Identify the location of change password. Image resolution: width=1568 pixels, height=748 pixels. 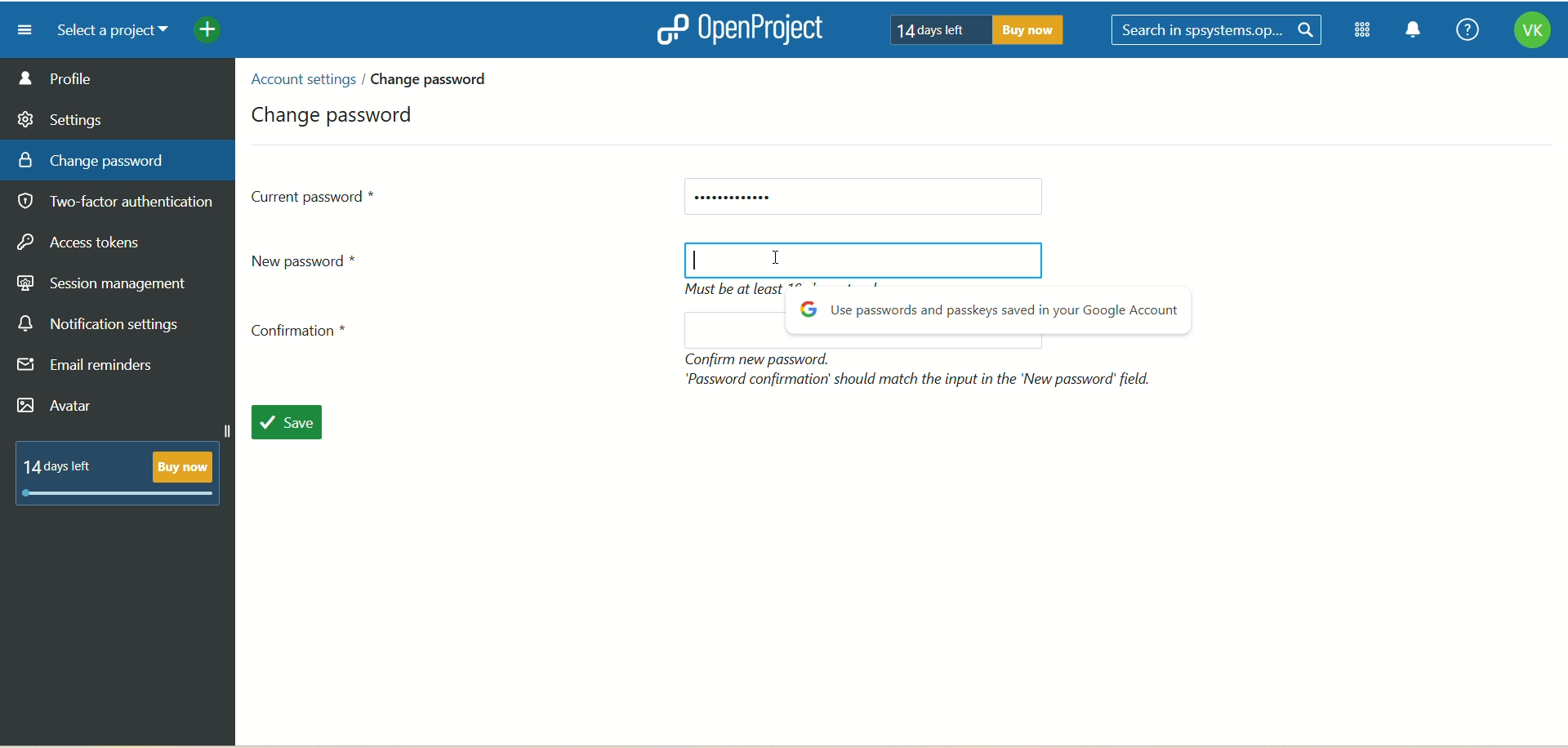
(336, 112).